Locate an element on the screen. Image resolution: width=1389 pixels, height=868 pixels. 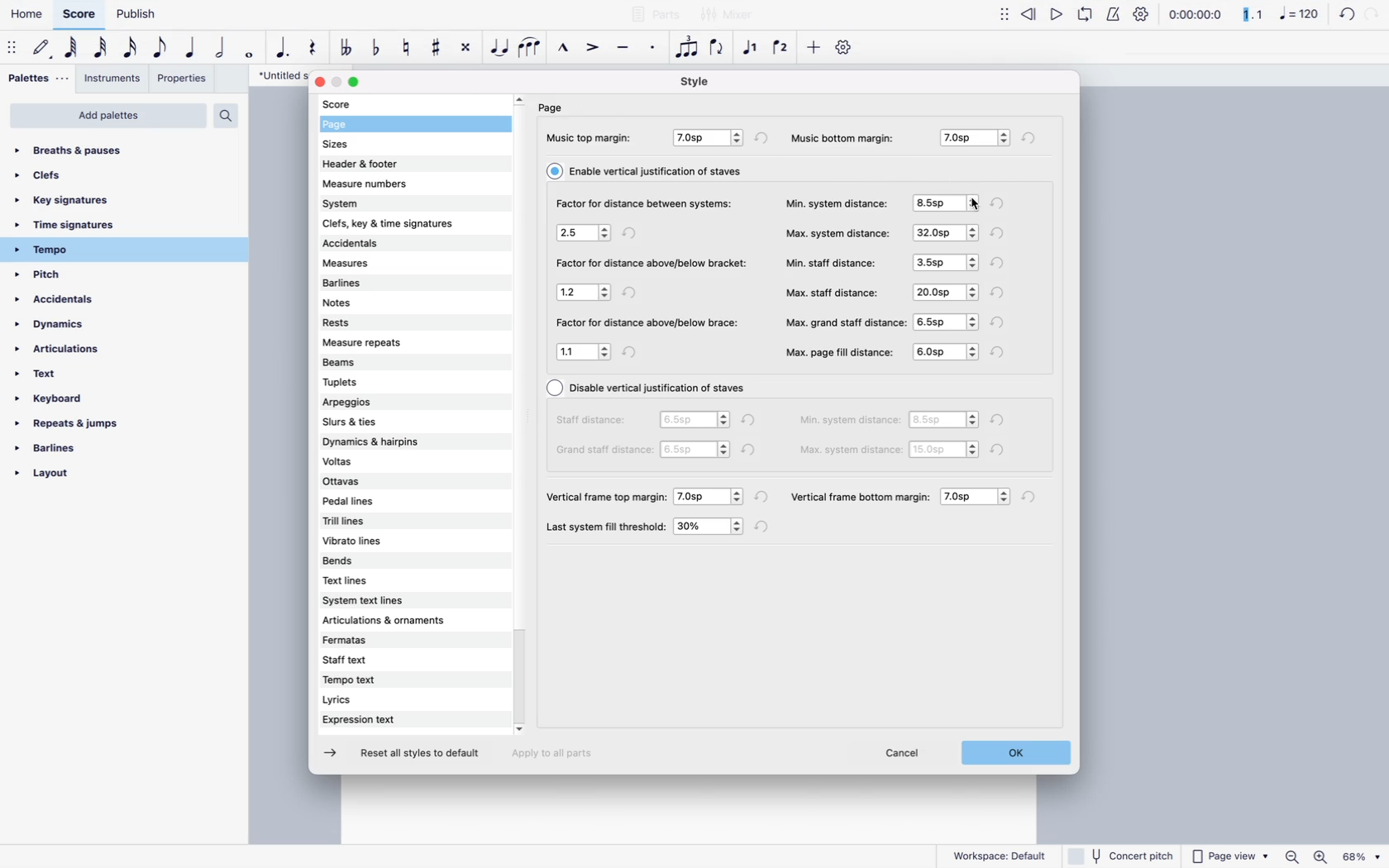
header & footer is located at coordinates (370, 164).